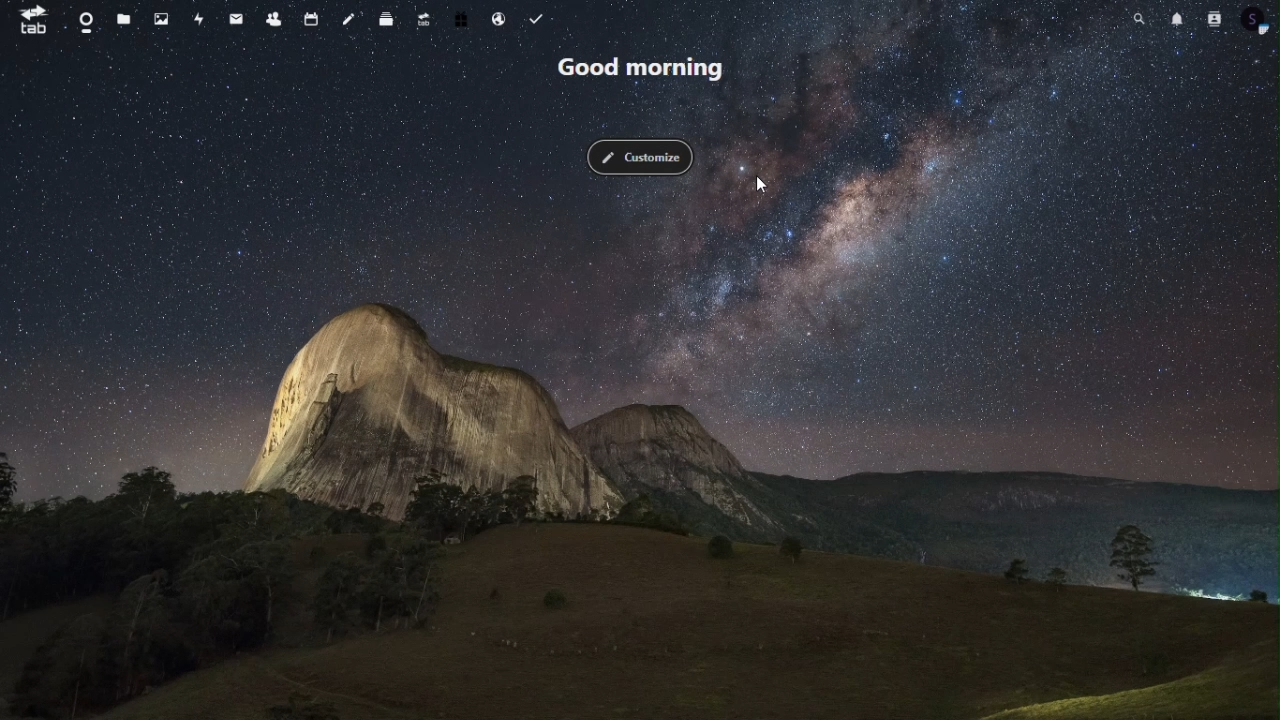 This screenshot has height=720, width=1280. Describe the element at coordinates (275, 21) in the screenshot. I see `contacts` at that location.